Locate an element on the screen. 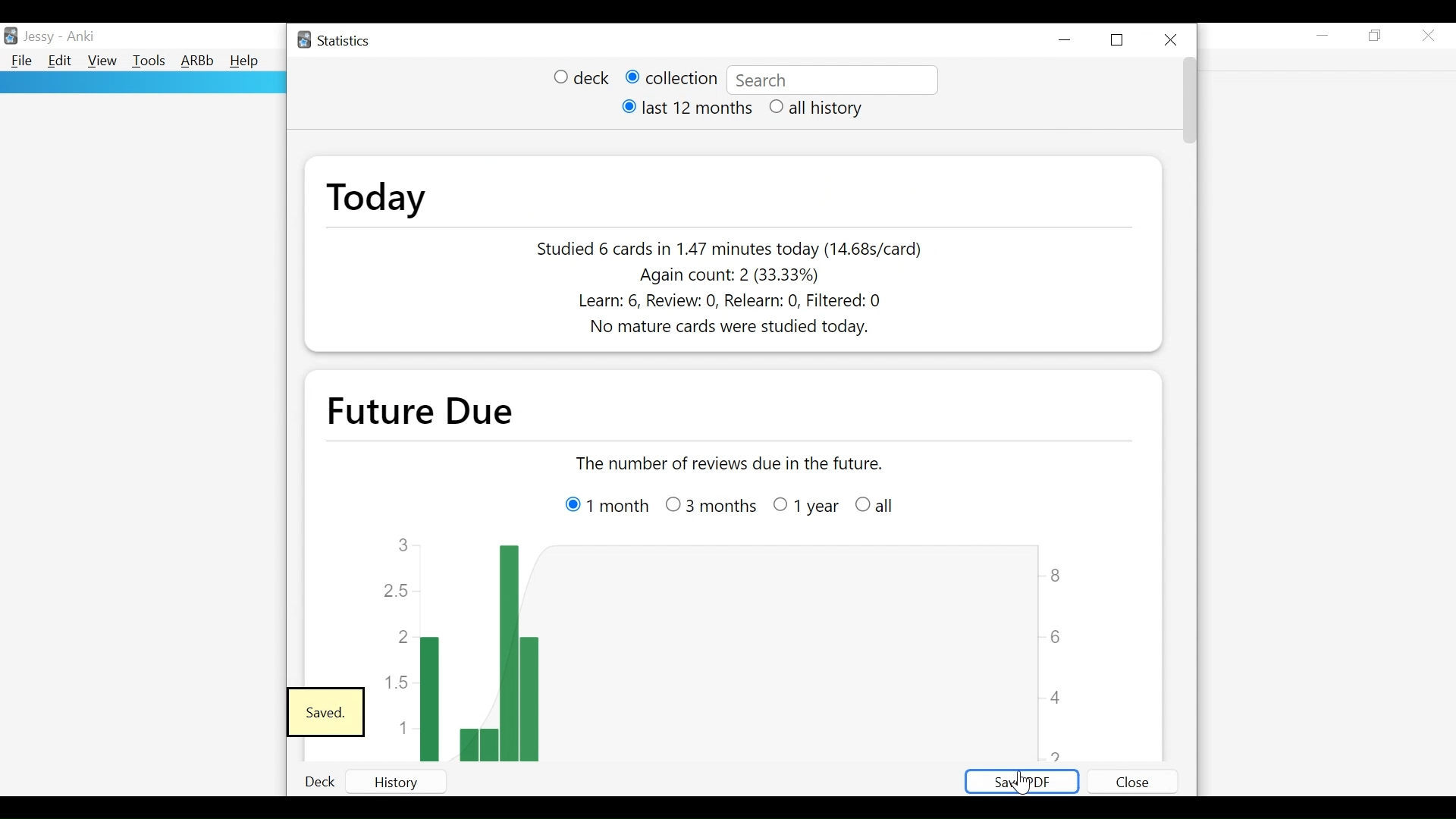  all is located at coordinates (890, 503).